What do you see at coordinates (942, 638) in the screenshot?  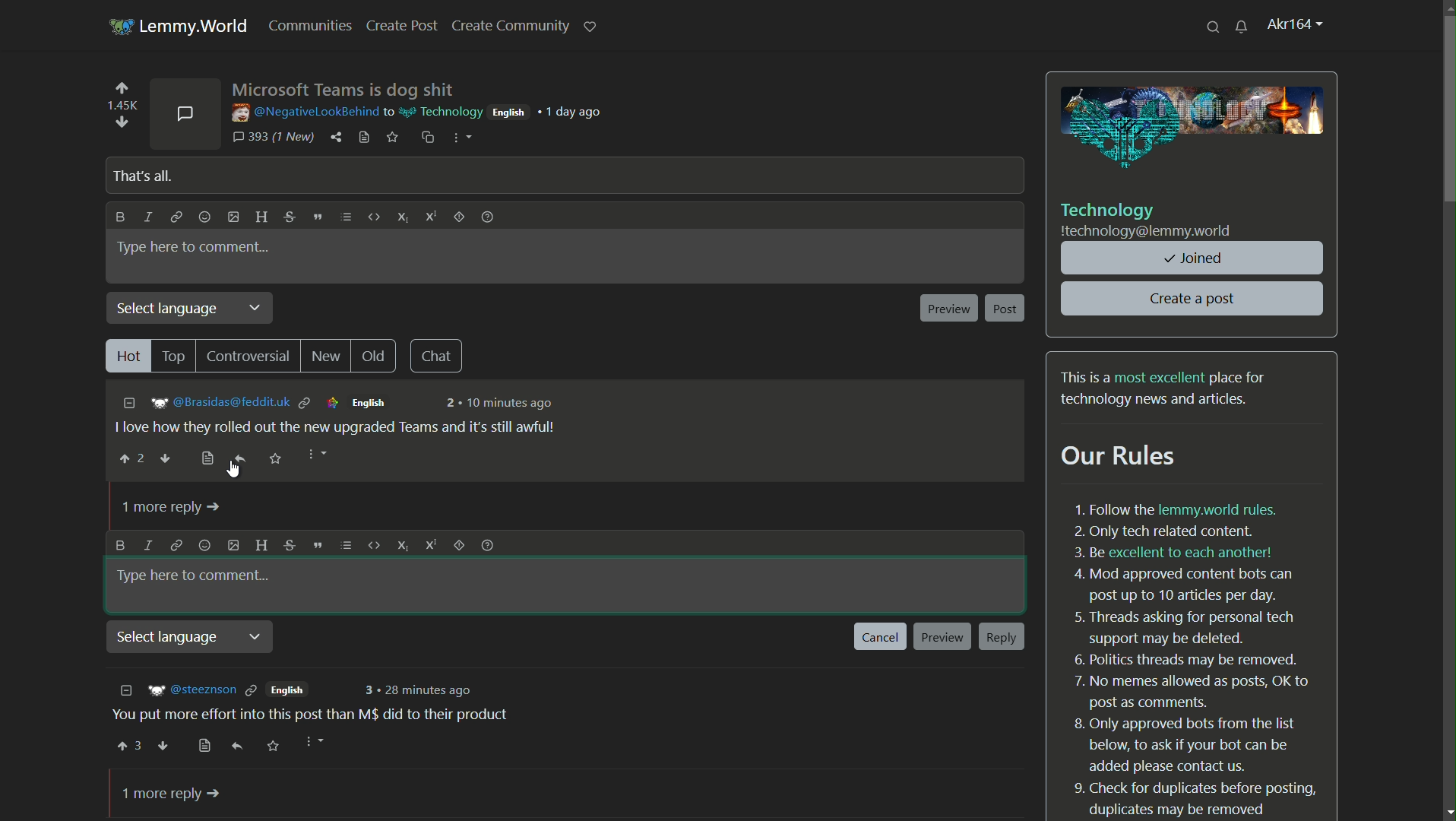 I see `preview` at bounding box center [942, 638].